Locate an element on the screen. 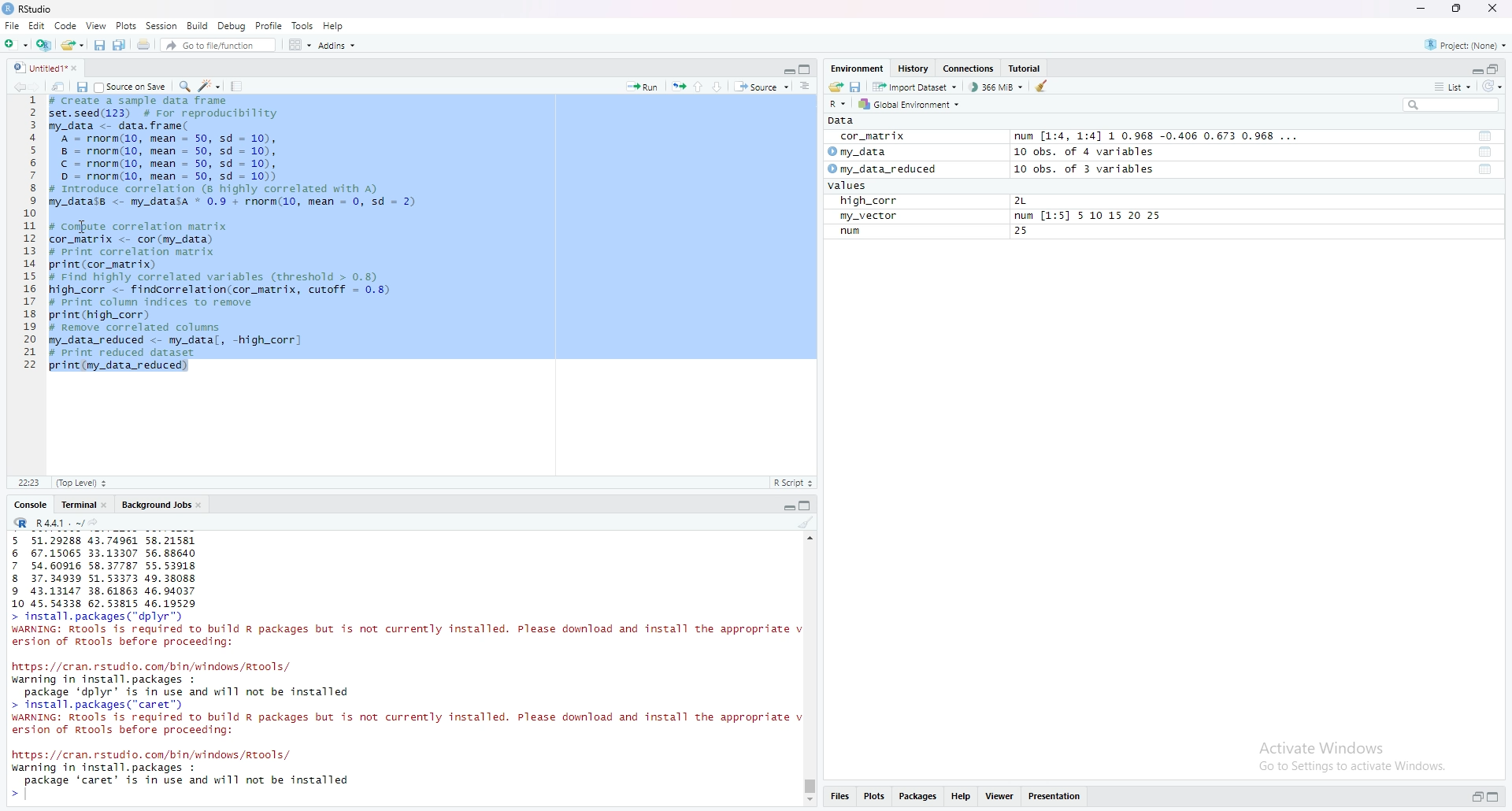 Image resolution: width=1512 pixels, height=811 pixels. save is located at coordinates (857, 87).